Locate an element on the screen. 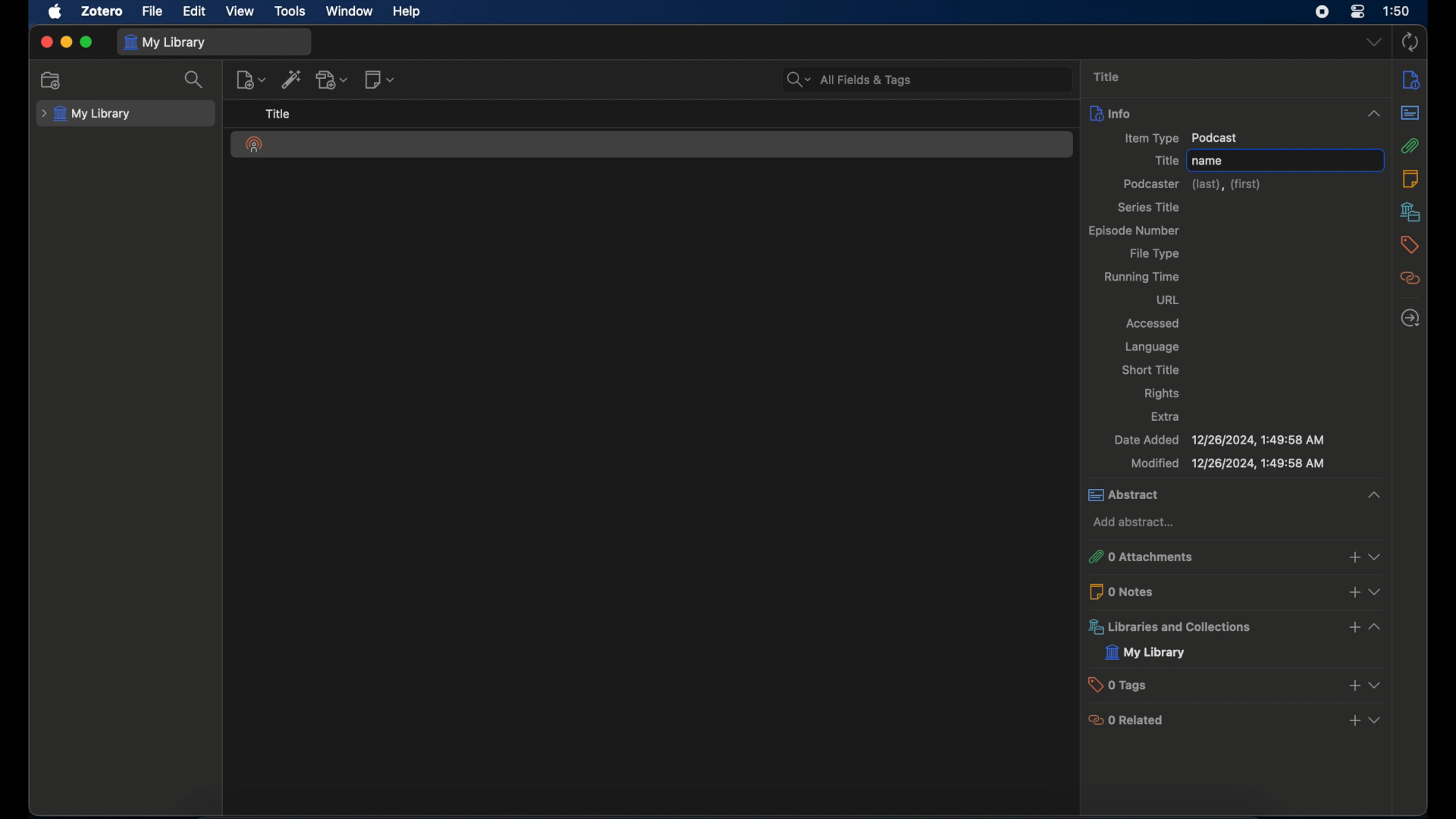  tools is located at coordinates (291, 11).